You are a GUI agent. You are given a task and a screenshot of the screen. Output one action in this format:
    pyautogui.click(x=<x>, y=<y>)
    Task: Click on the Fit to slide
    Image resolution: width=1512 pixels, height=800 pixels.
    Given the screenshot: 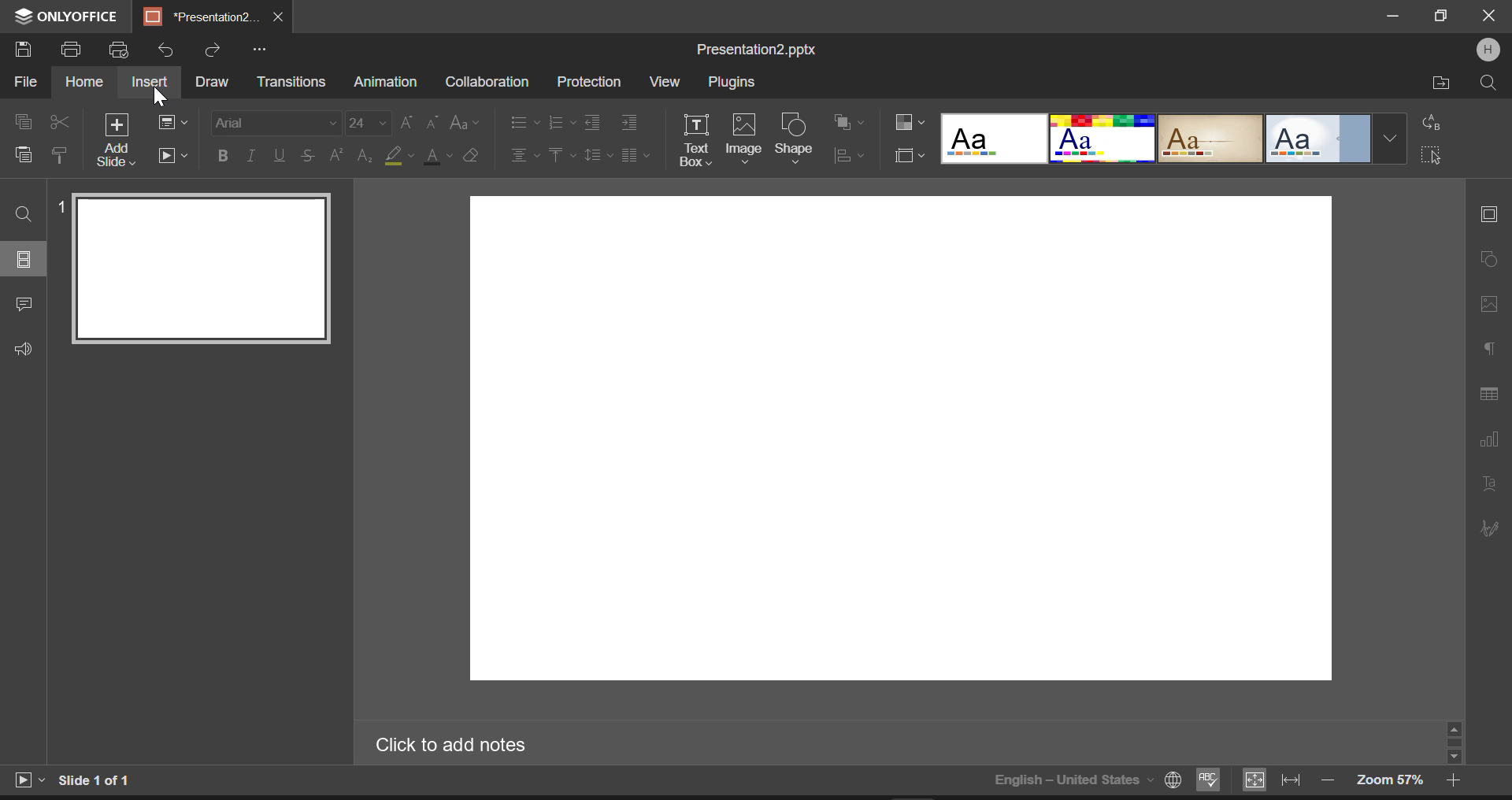 What is the action you would take?
    pyautogui.click(x=1253, y=780)
    